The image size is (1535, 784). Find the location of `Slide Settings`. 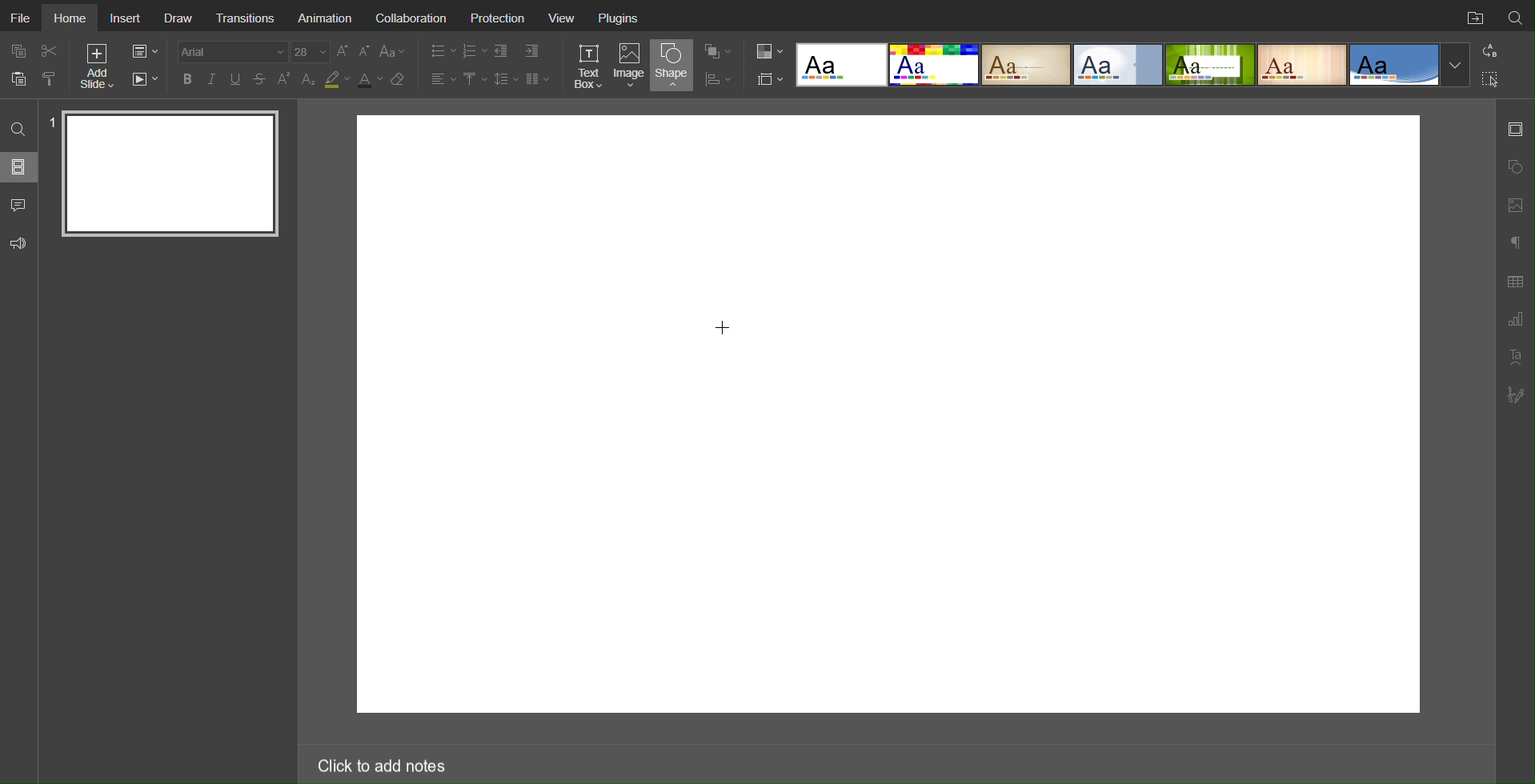

Slide Settings is located at coordinates (767, 79).